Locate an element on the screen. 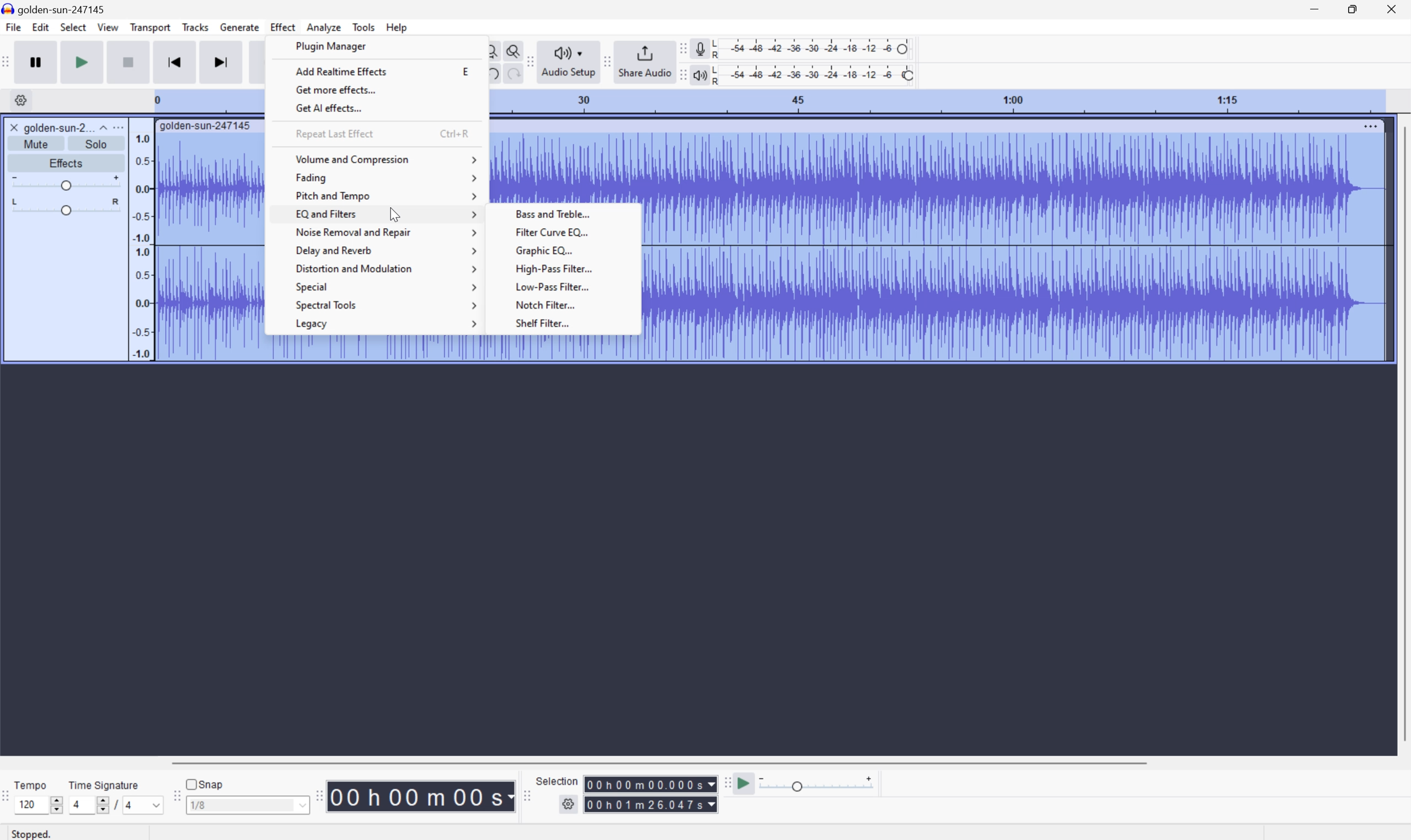 This screenshot has height=840, width=1411. Edit is located at coordinates (41, 27).